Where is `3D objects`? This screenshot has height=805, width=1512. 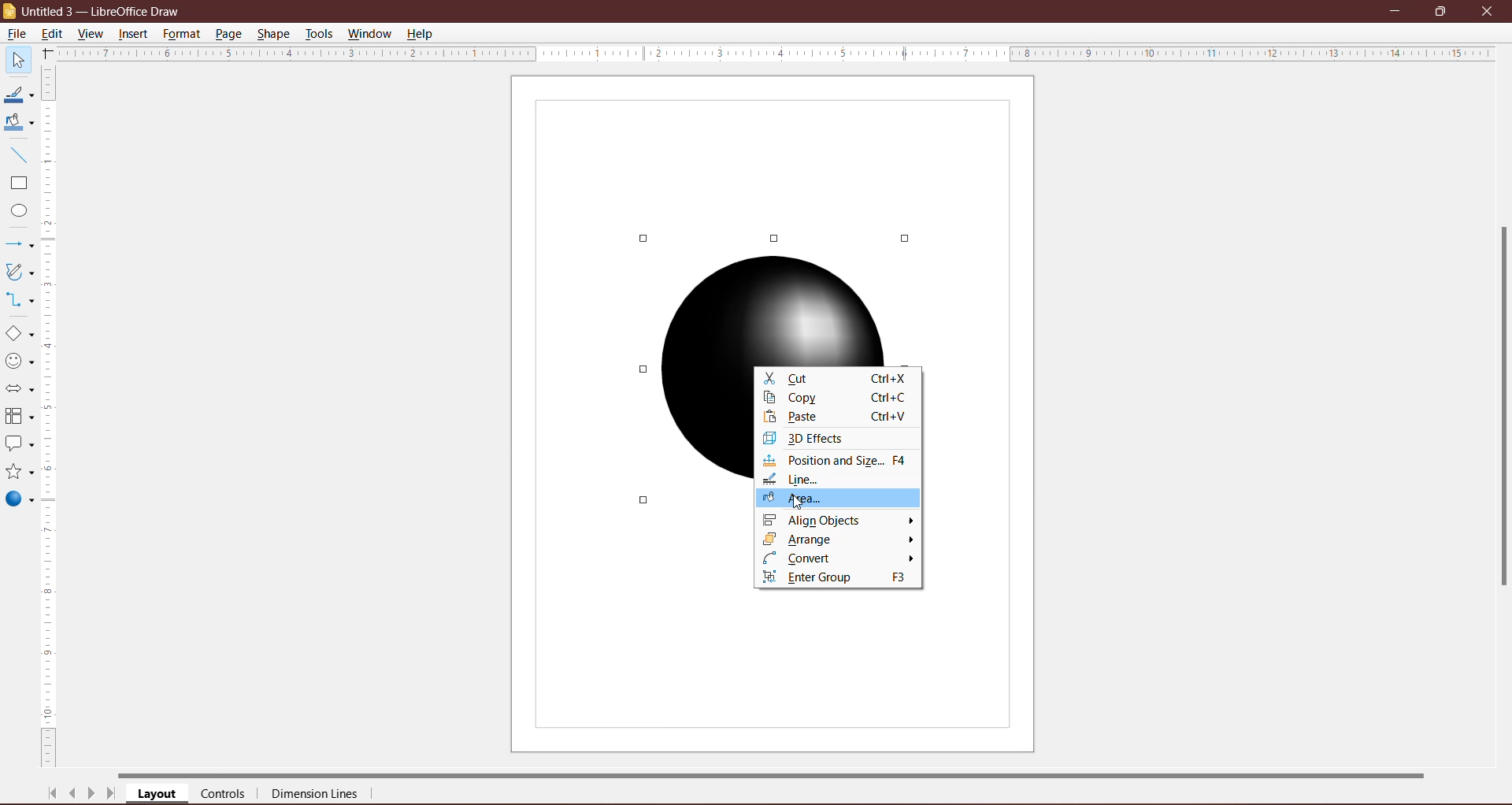
3D objects is located at coordinates (19, 501).